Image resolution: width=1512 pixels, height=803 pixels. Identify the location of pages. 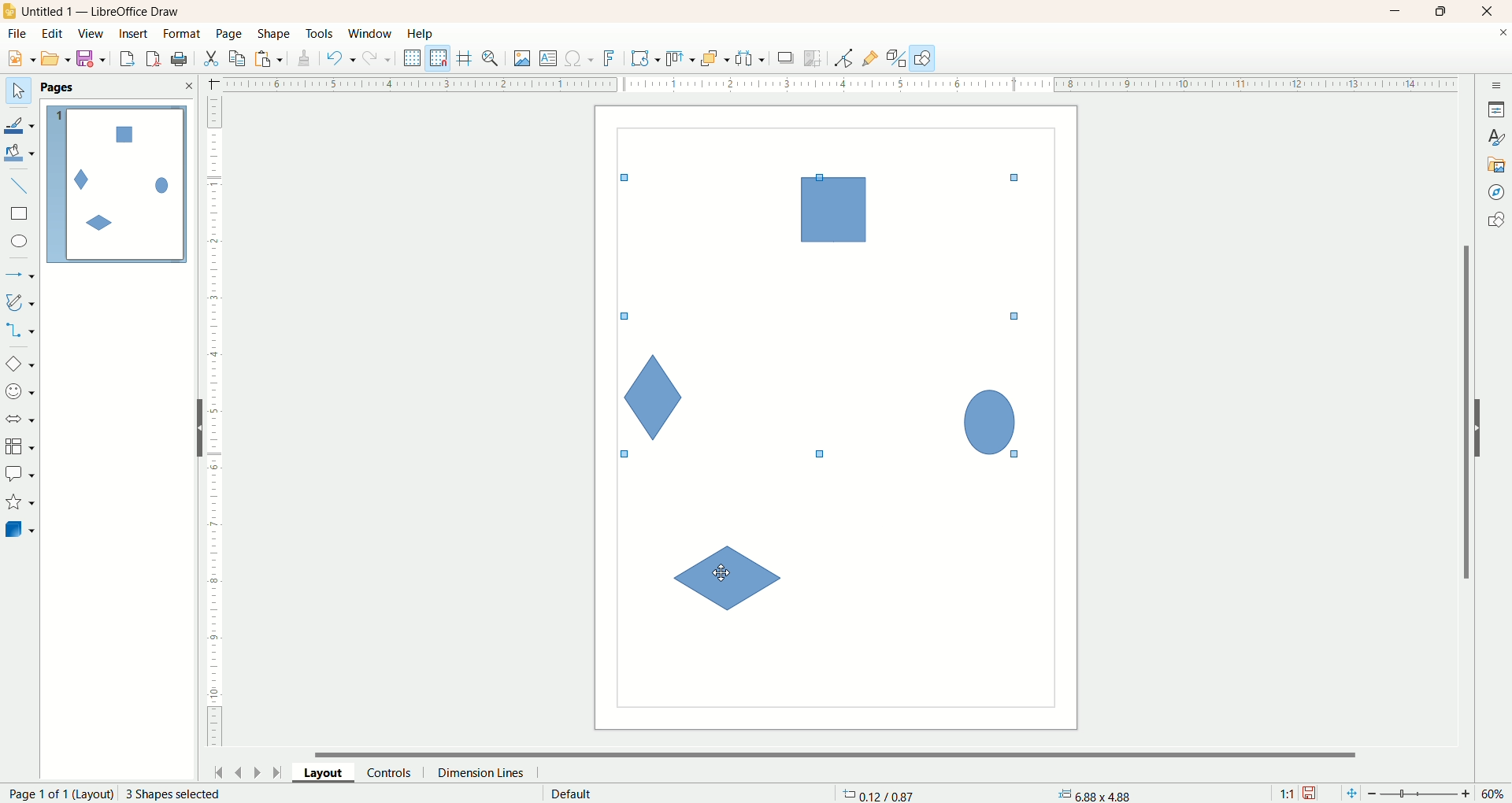
(57, 87).